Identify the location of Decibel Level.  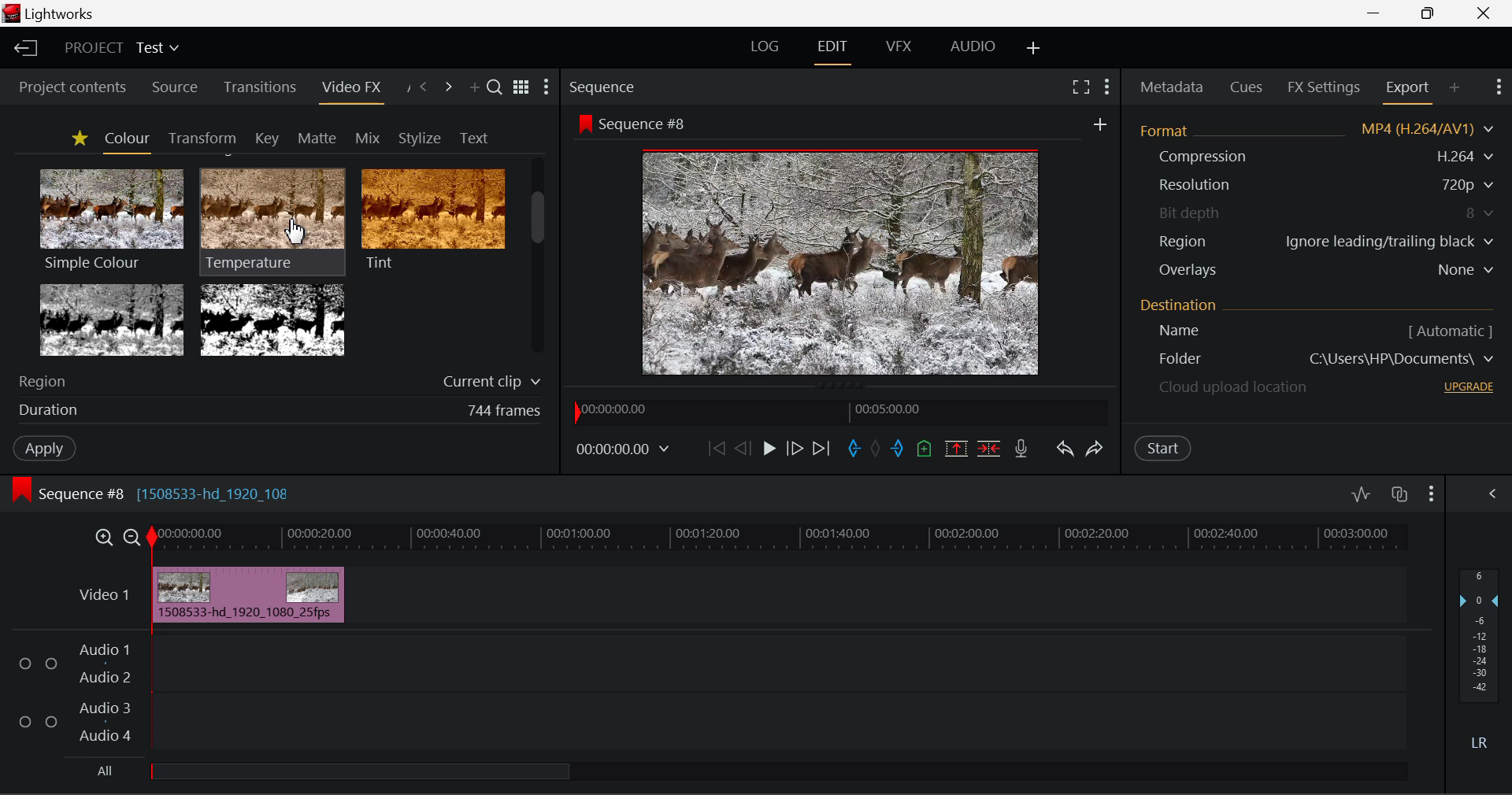
(1480, 656).